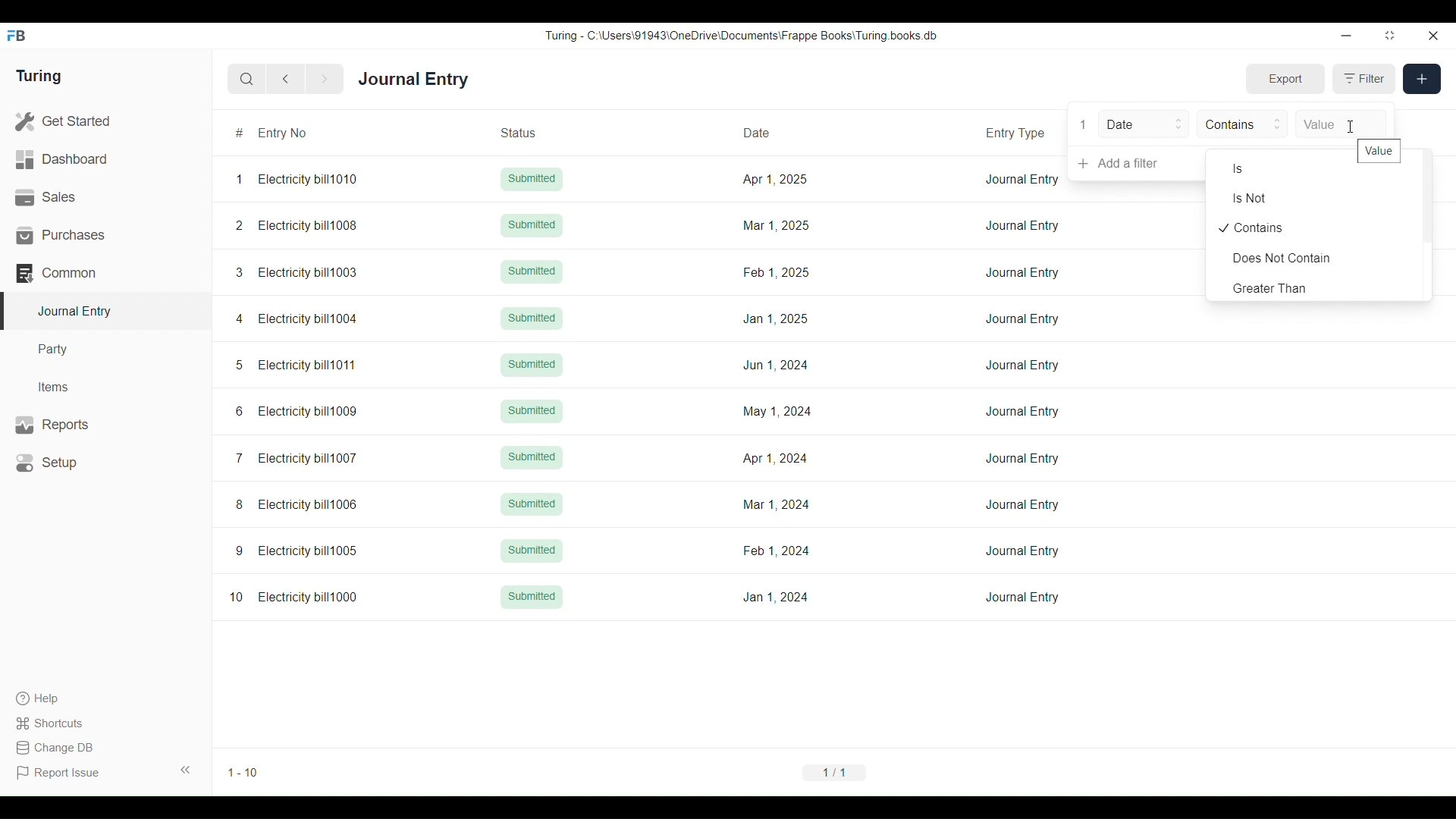 The width and height of the screenshot is (1456, 819). I want to click on Change dimension, so click(1390, 35).